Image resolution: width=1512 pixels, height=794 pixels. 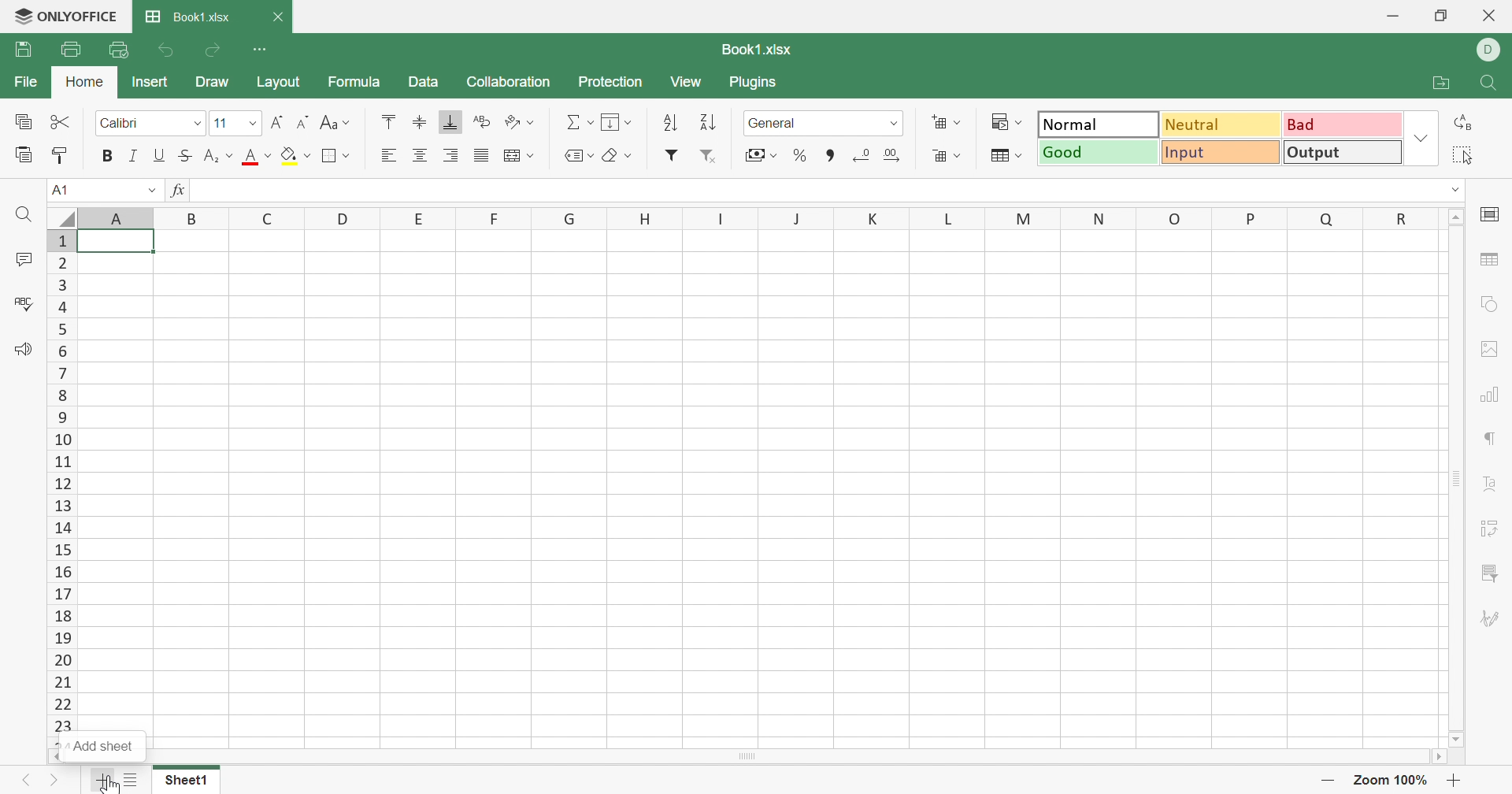 What do you see at coordinates (1328, 219) in the screenshot?
I see `Q` at bounding box center [1328, 219].